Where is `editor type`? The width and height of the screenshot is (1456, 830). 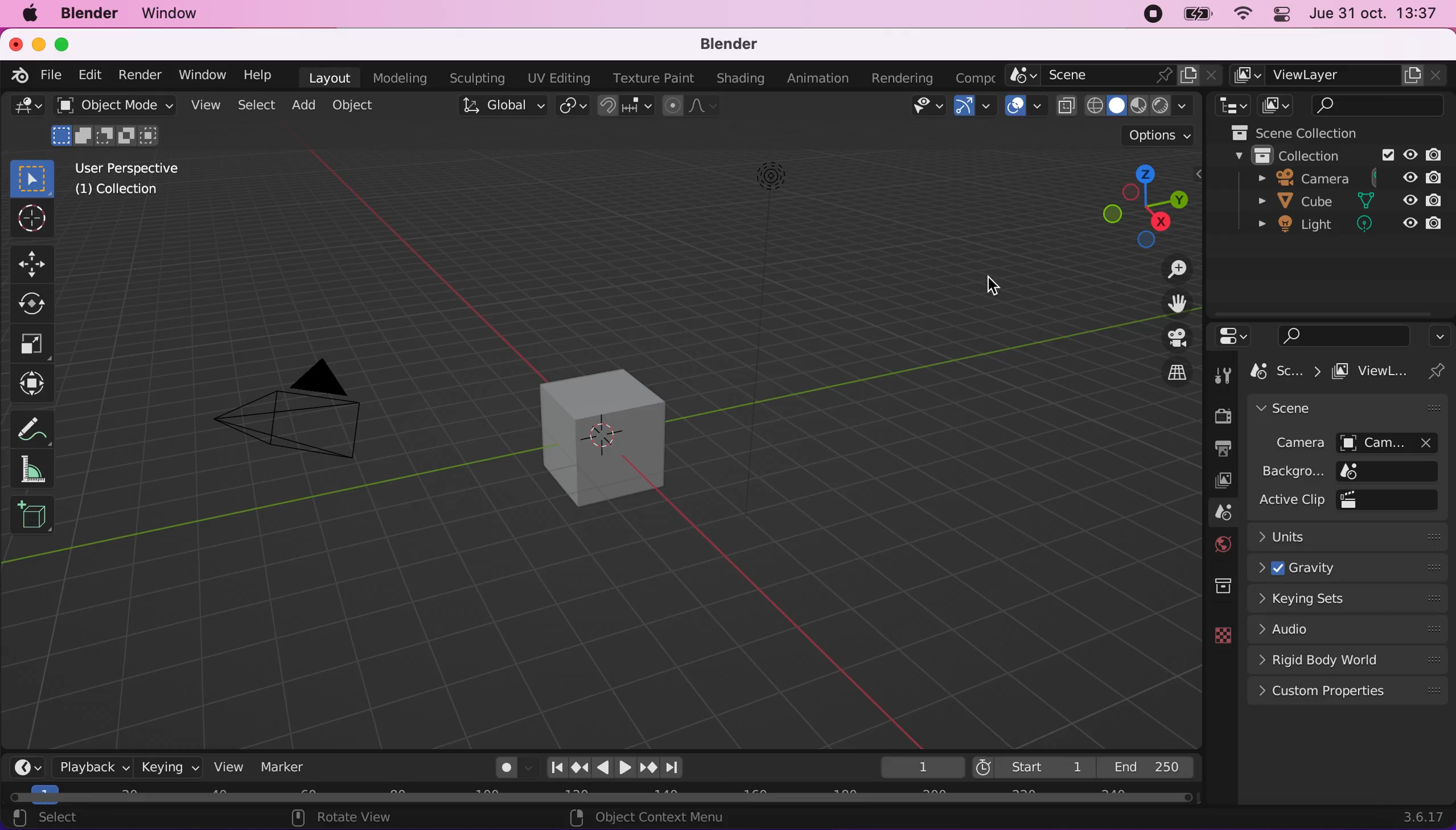 editor type is located at coordinates (27, 106).